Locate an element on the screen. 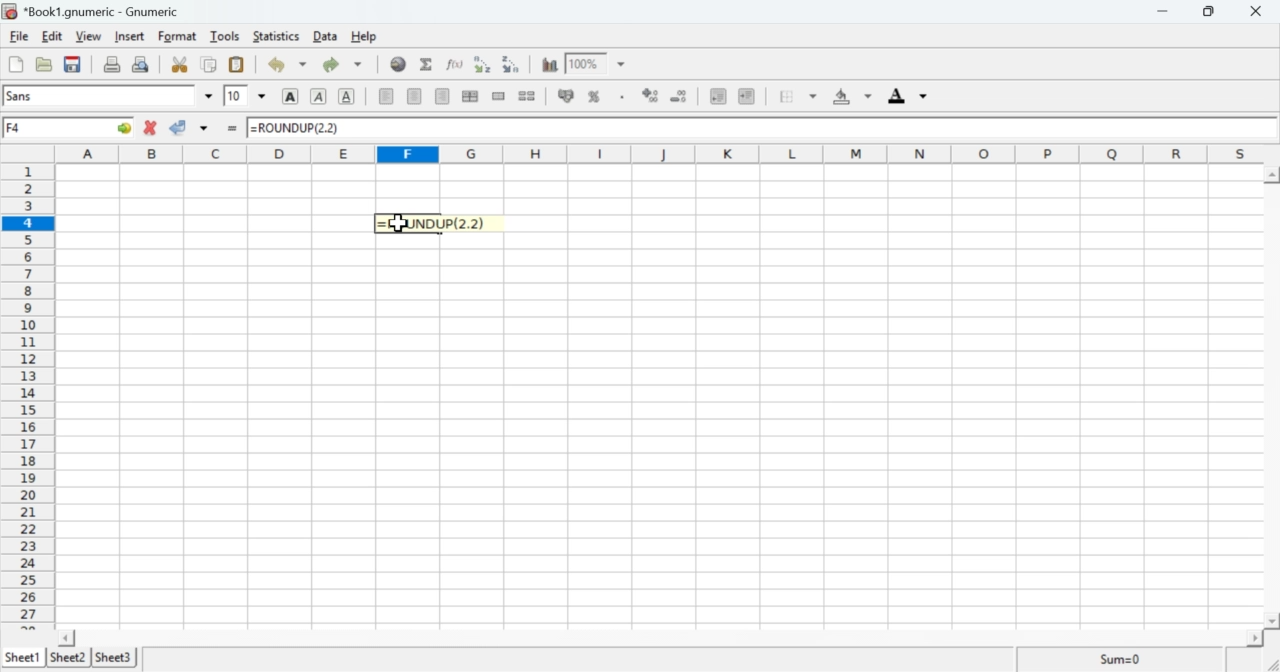  Cut is located at coordinates (180, 63).